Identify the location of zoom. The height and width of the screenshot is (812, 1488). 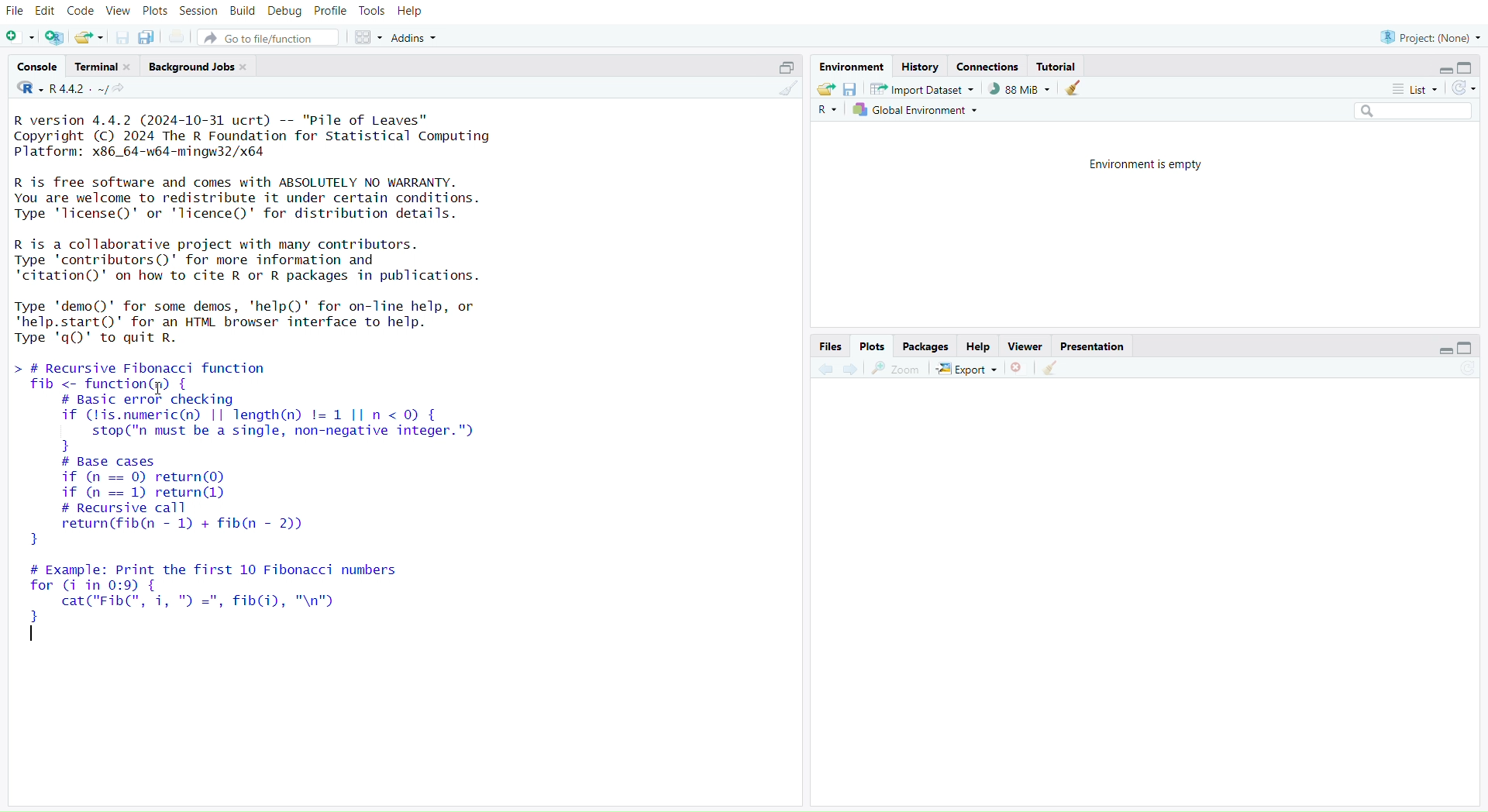
(897, 370).